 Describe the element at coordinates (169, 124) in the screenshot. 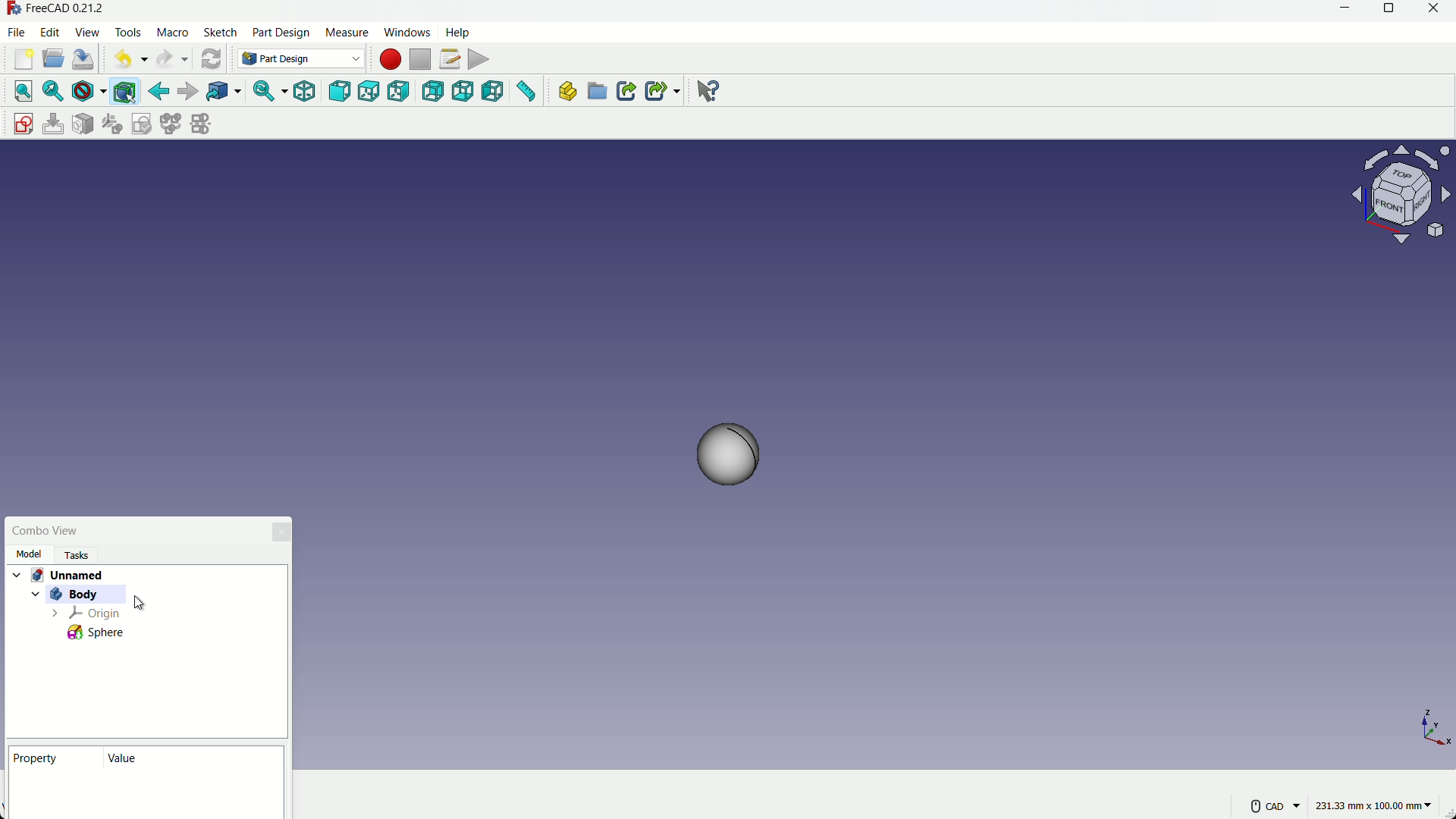

I see `merge sketch` at that location.